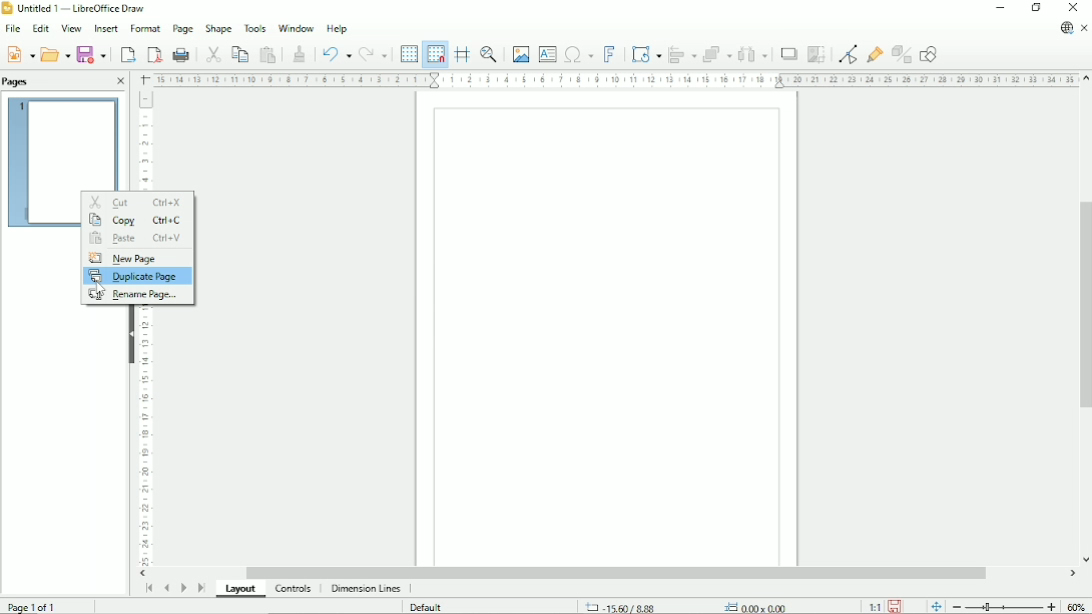  Describe the element at coordinates (337, 28) in the screenshot. I see `Help` at that location.